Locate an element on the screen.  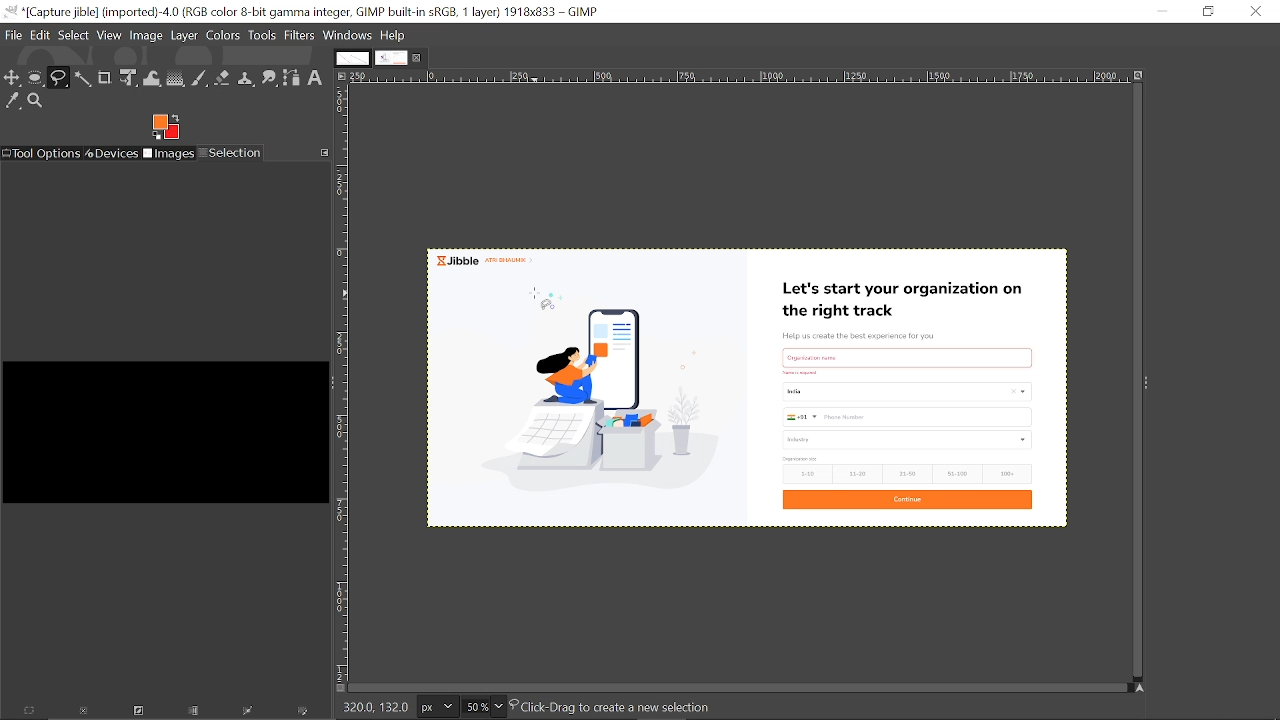
coordinates is located at coordinates (374, 706).